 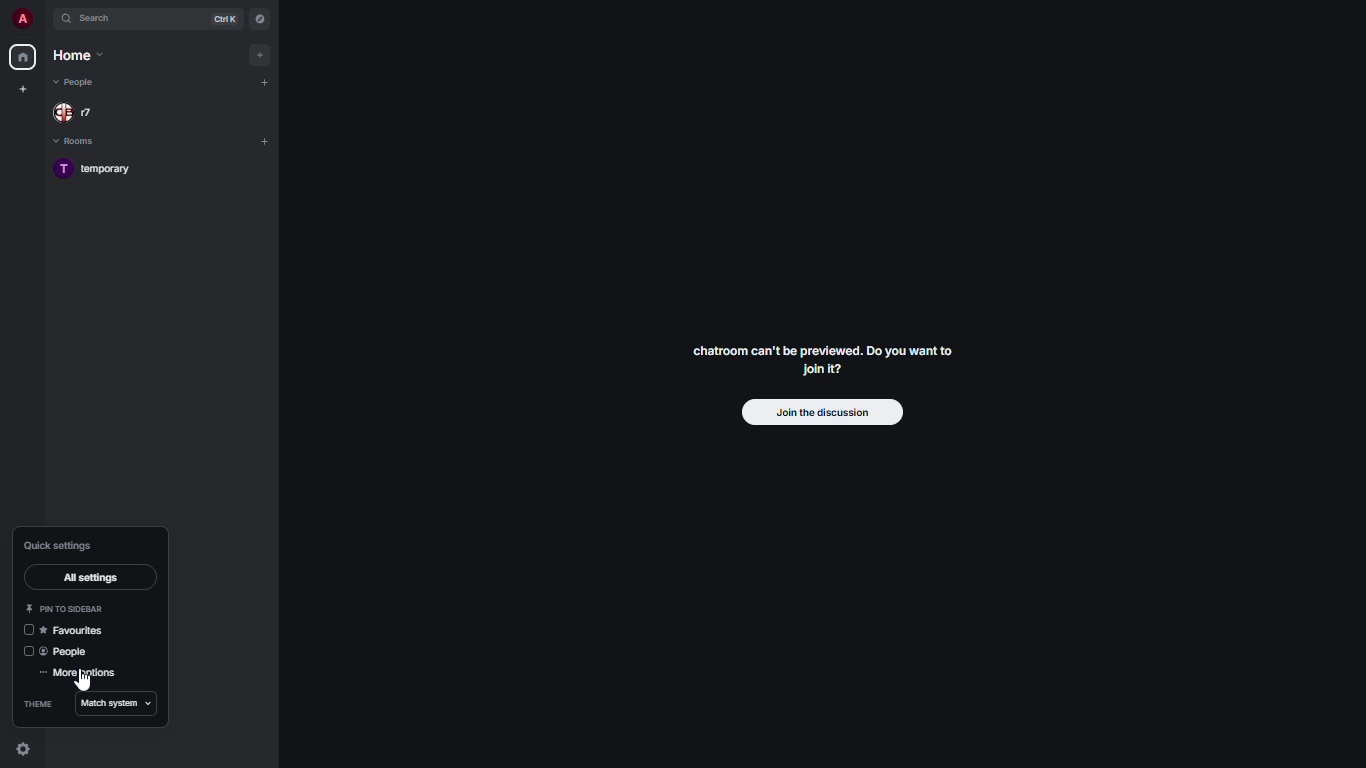 What do you see at coordinates (95, 19) in the screenshot?
I see `search` at bounding box center [95, 19].